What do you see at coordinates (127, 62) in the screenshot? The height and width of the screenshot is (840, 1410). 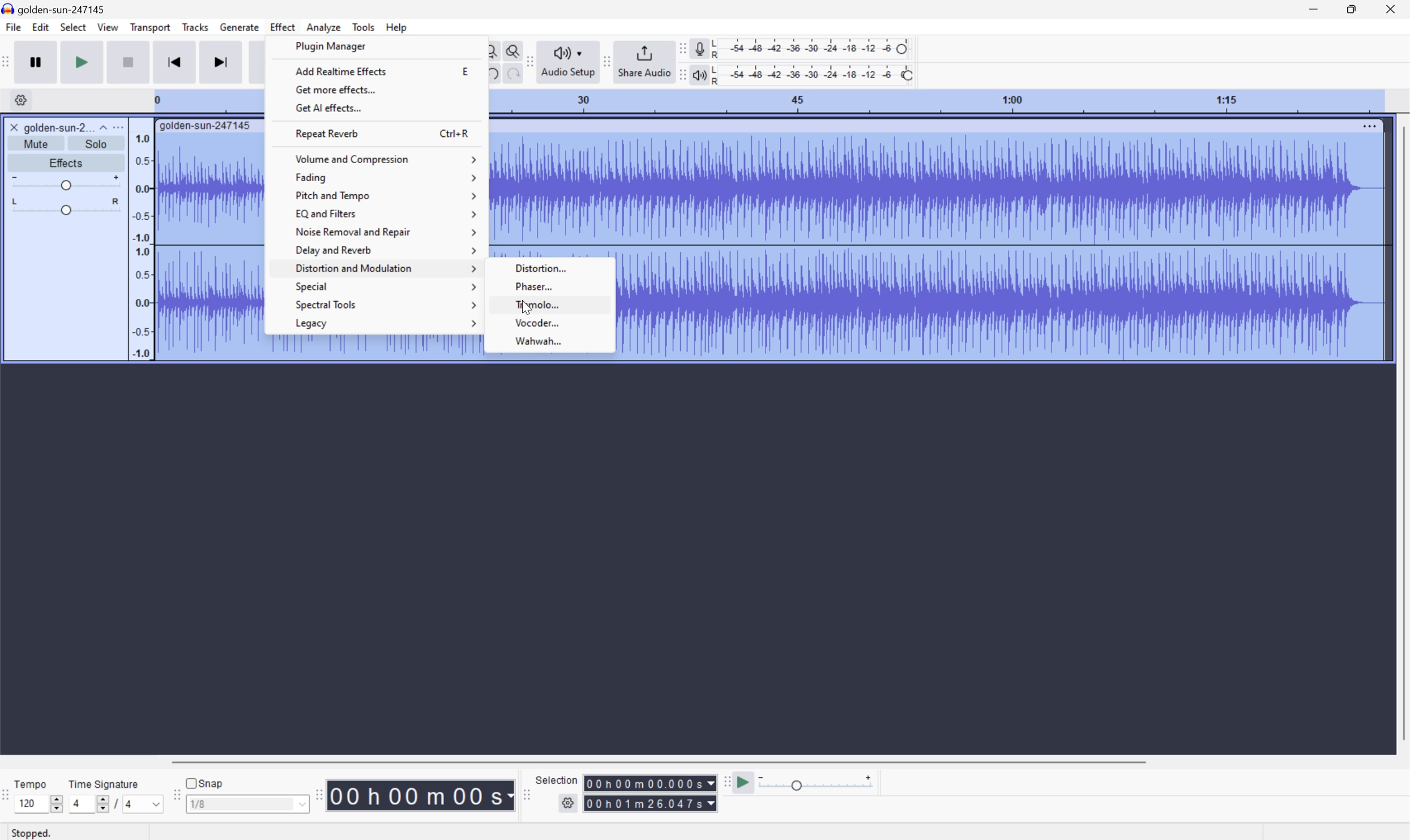 I see `Stop` at bounding box center [127, 62].